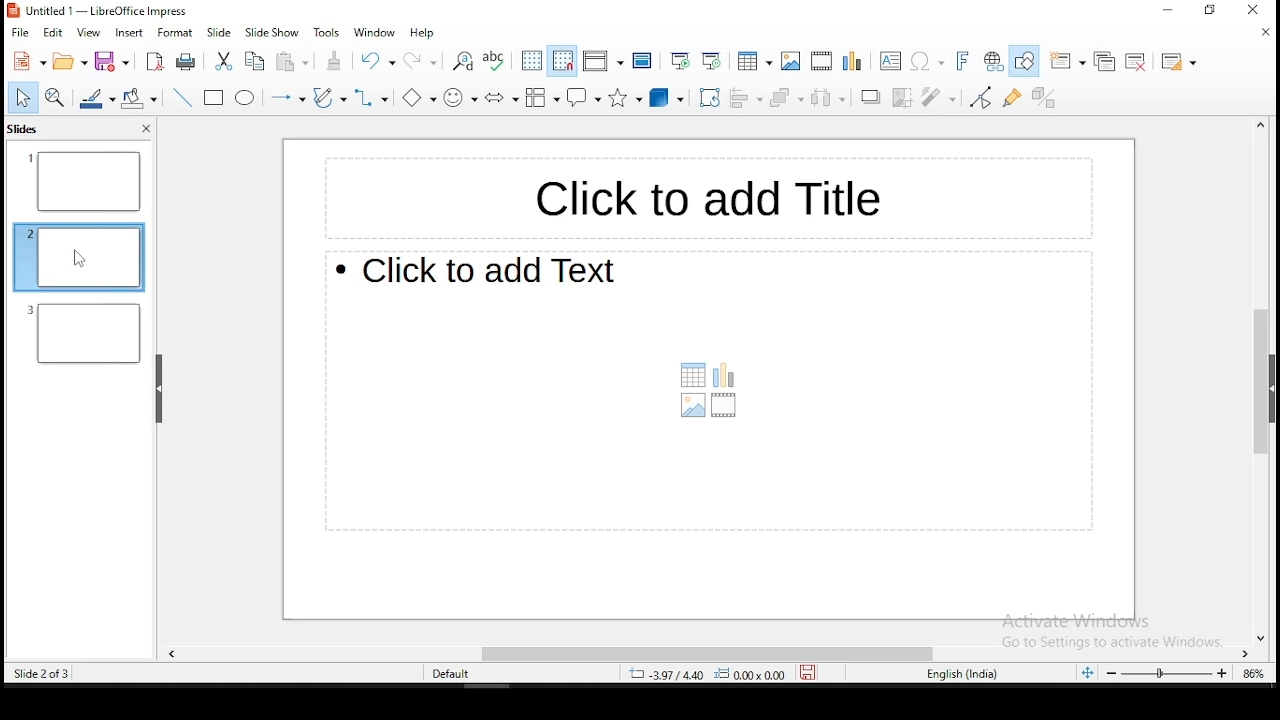 The width and height of the screenshot is (1280, 720). I want to click on duplicate slide, so click(1104, 60).